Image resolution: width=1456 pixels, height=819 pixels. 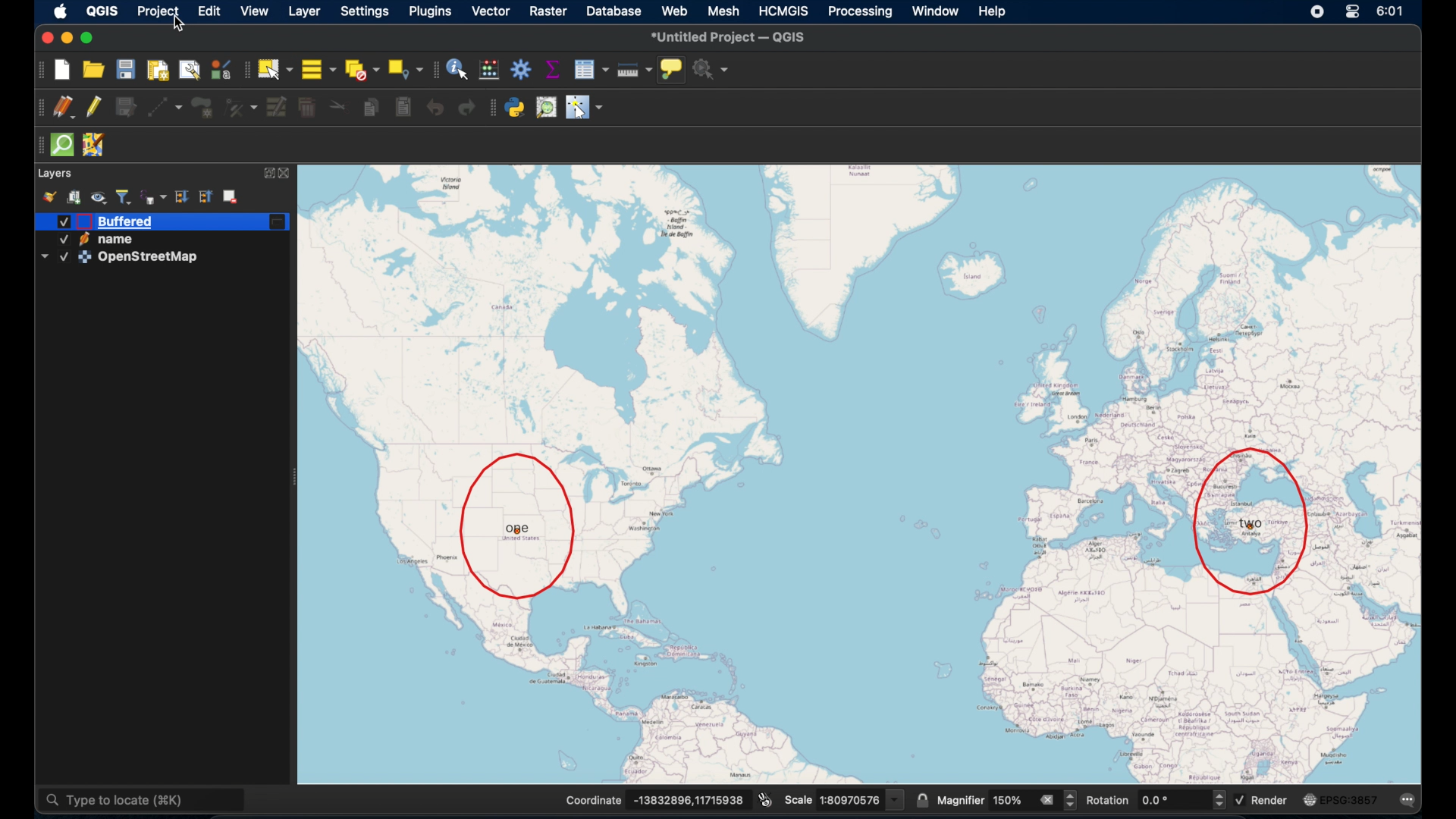 I want to click on render, so click(x=1268, y=801).